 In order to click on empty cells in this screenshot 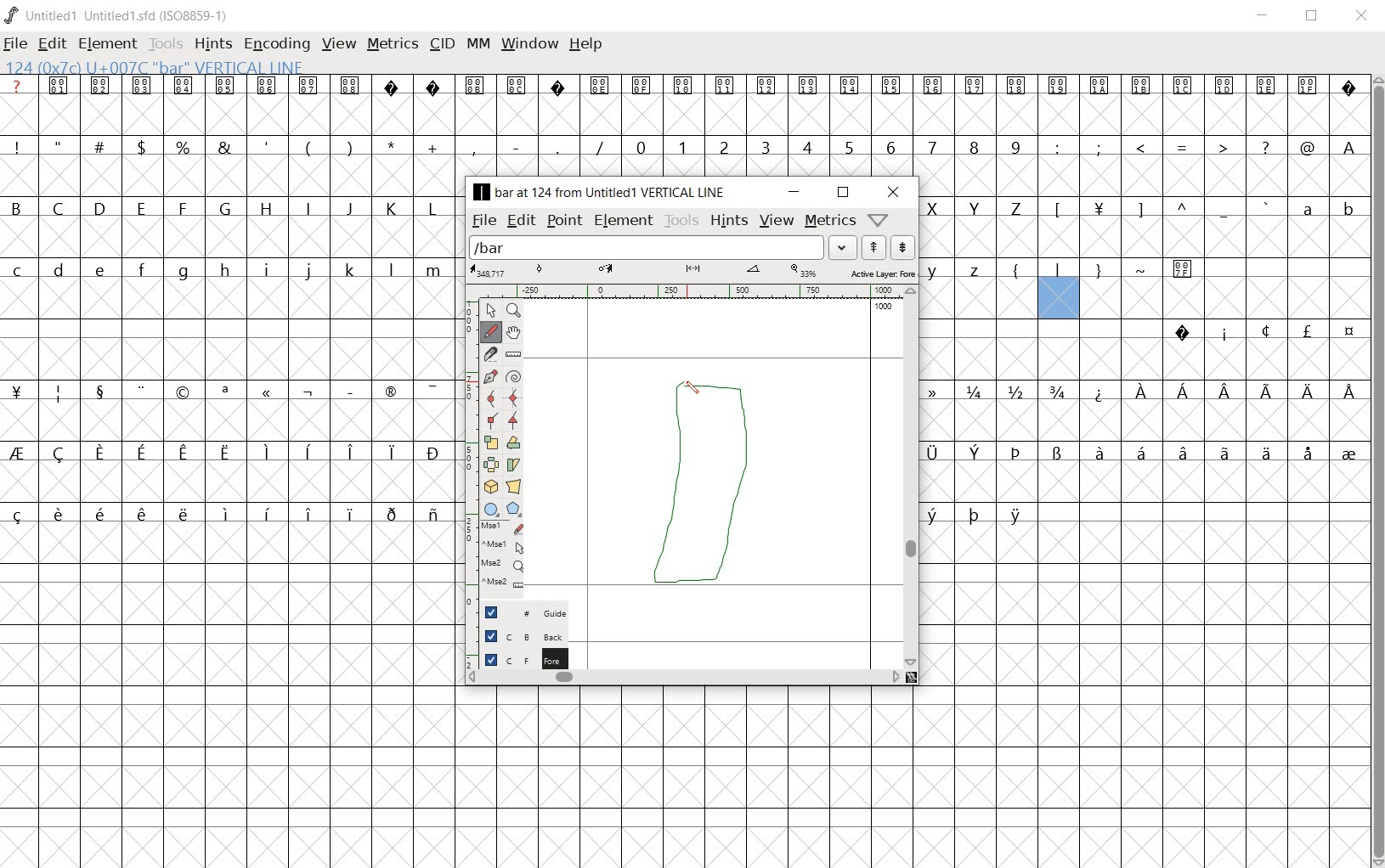, I will do `click(911, 775)`.